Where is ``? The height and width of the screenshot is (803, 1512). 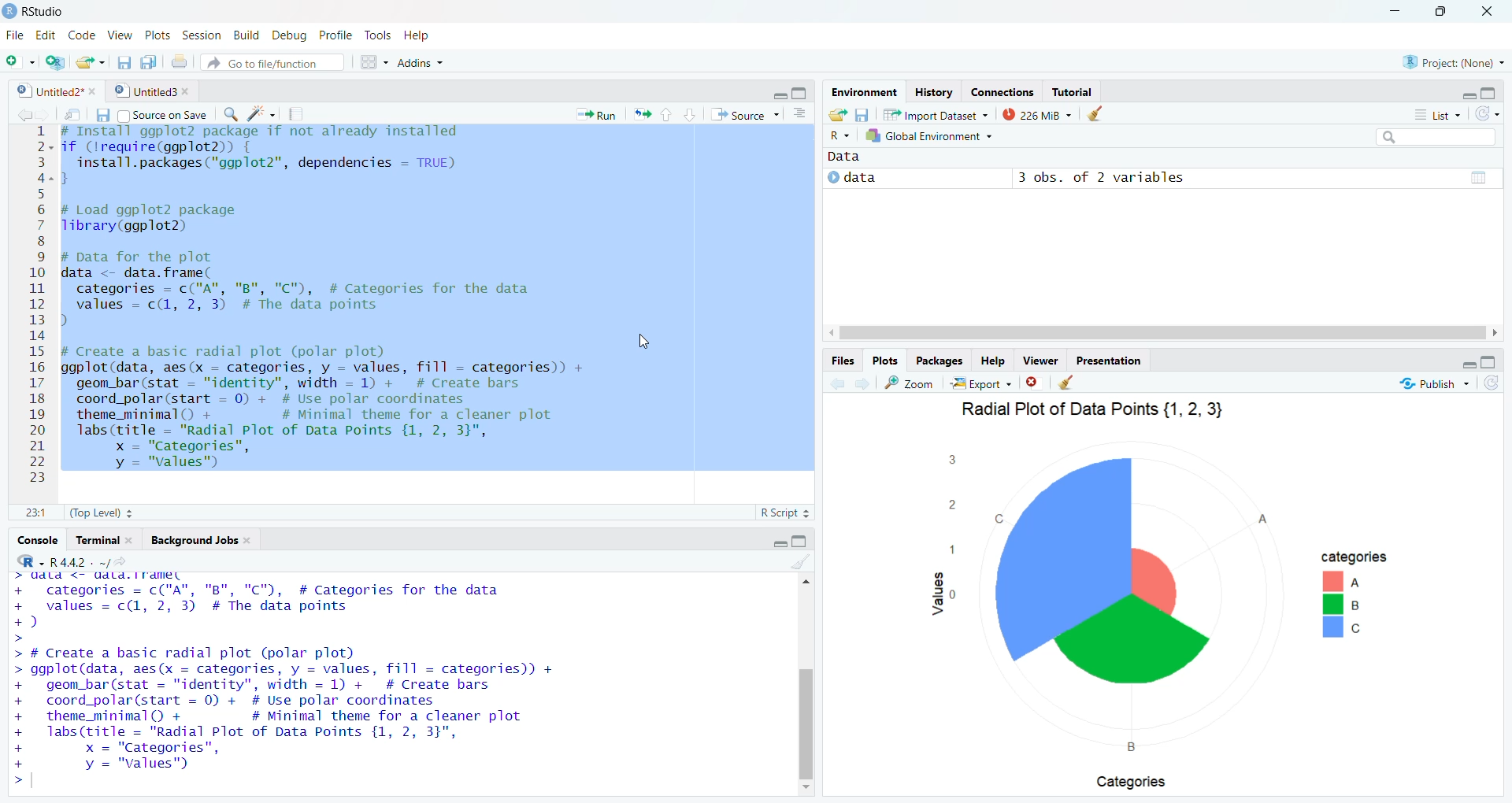  is located at coordinates (806, 720).